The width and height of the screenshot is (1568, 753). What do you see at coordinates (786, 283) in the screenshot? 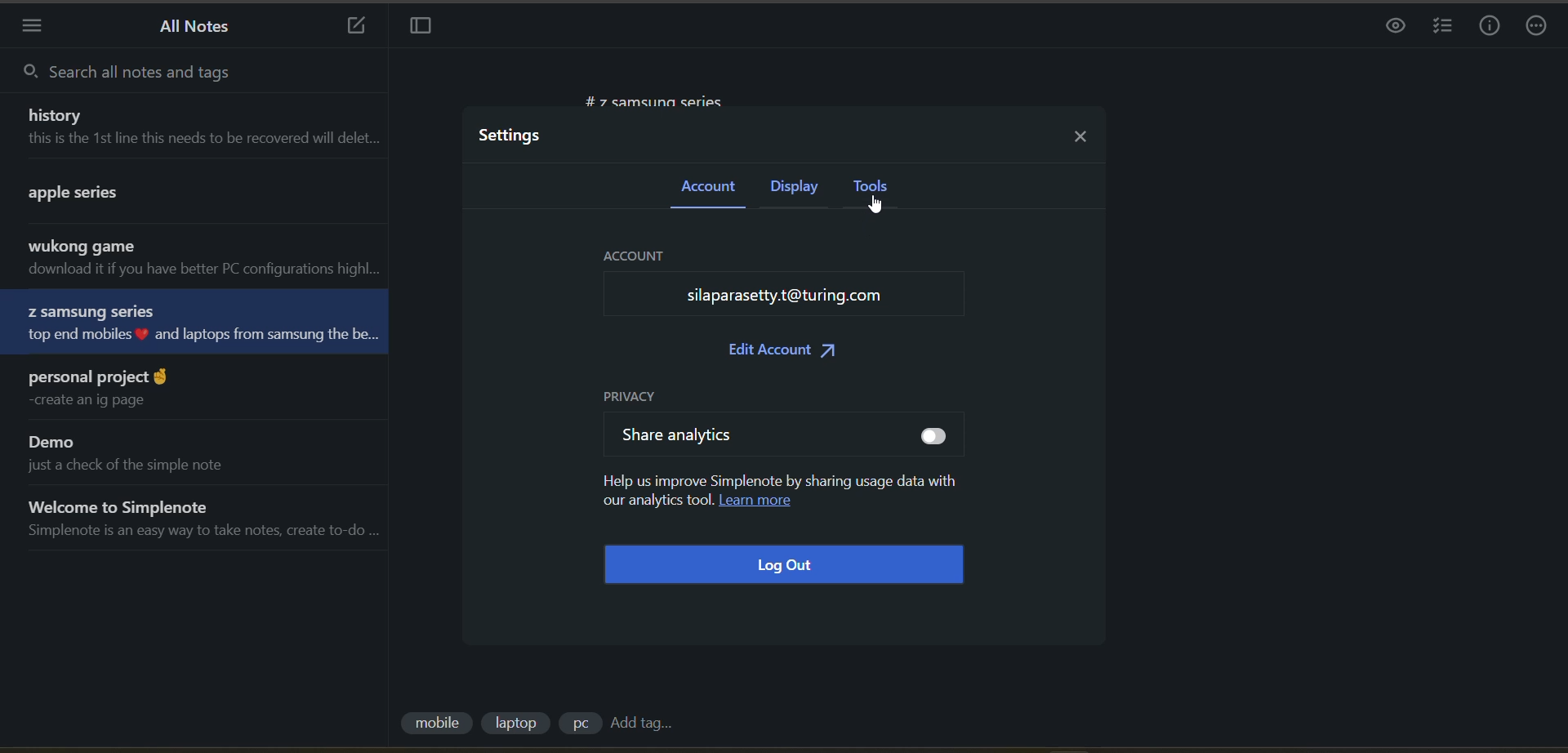
I see `account` at bounding box center [786, 283].